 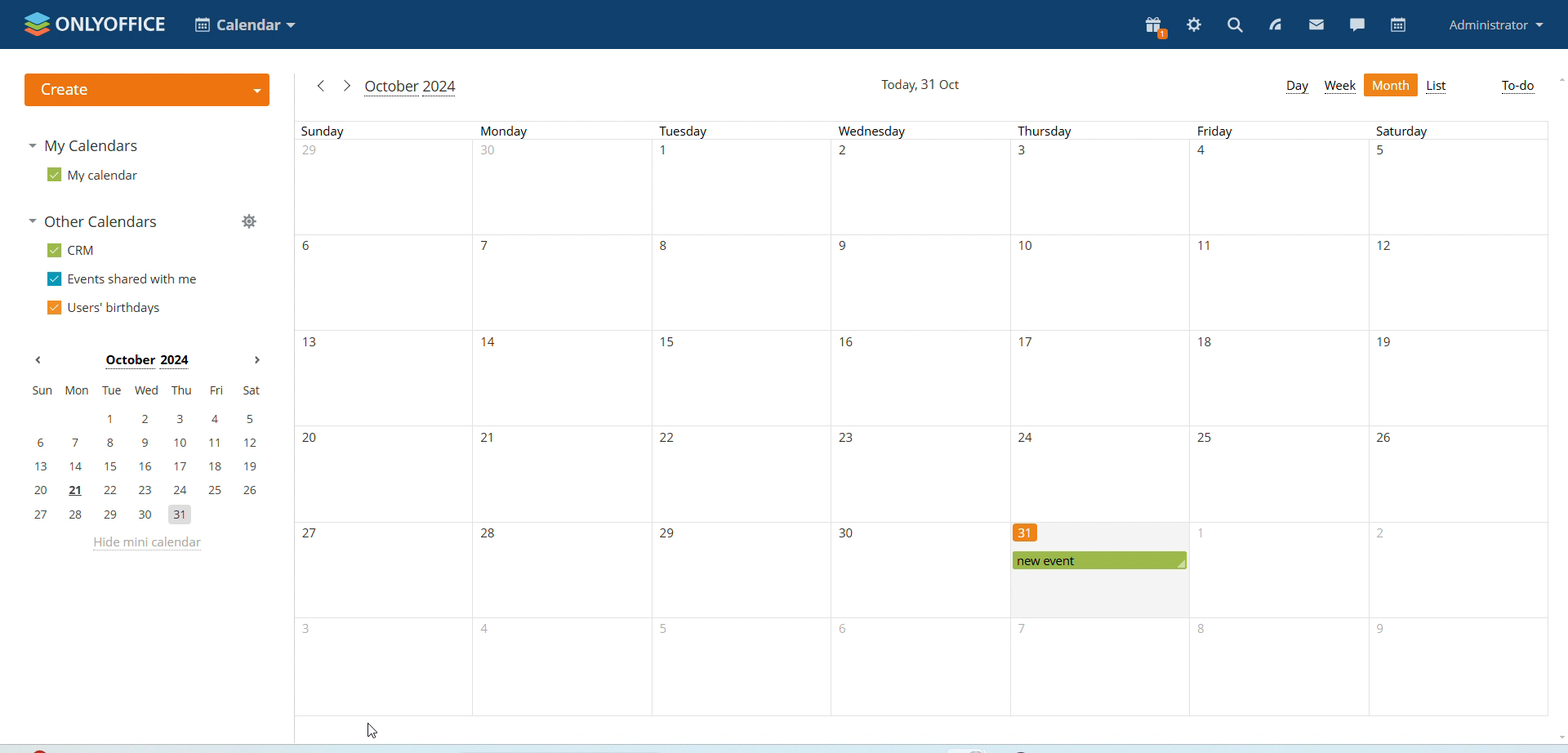 What do you see at coordinates (1279, 419) in the screenshot?
I see `Fridays` at bounding box center [1279, 419].